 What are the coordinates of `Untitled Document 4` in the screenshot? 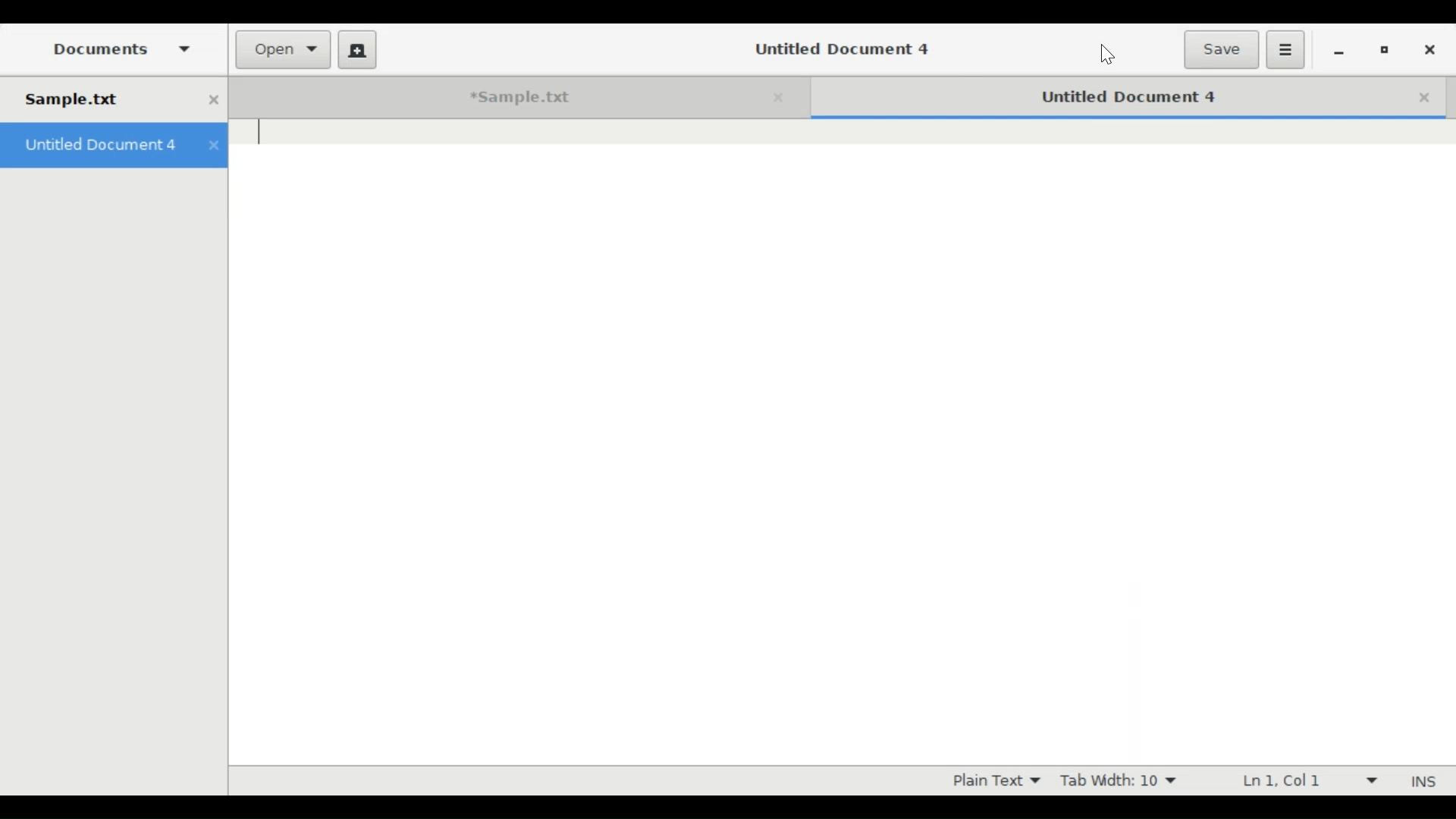 It's located at (95, 145).